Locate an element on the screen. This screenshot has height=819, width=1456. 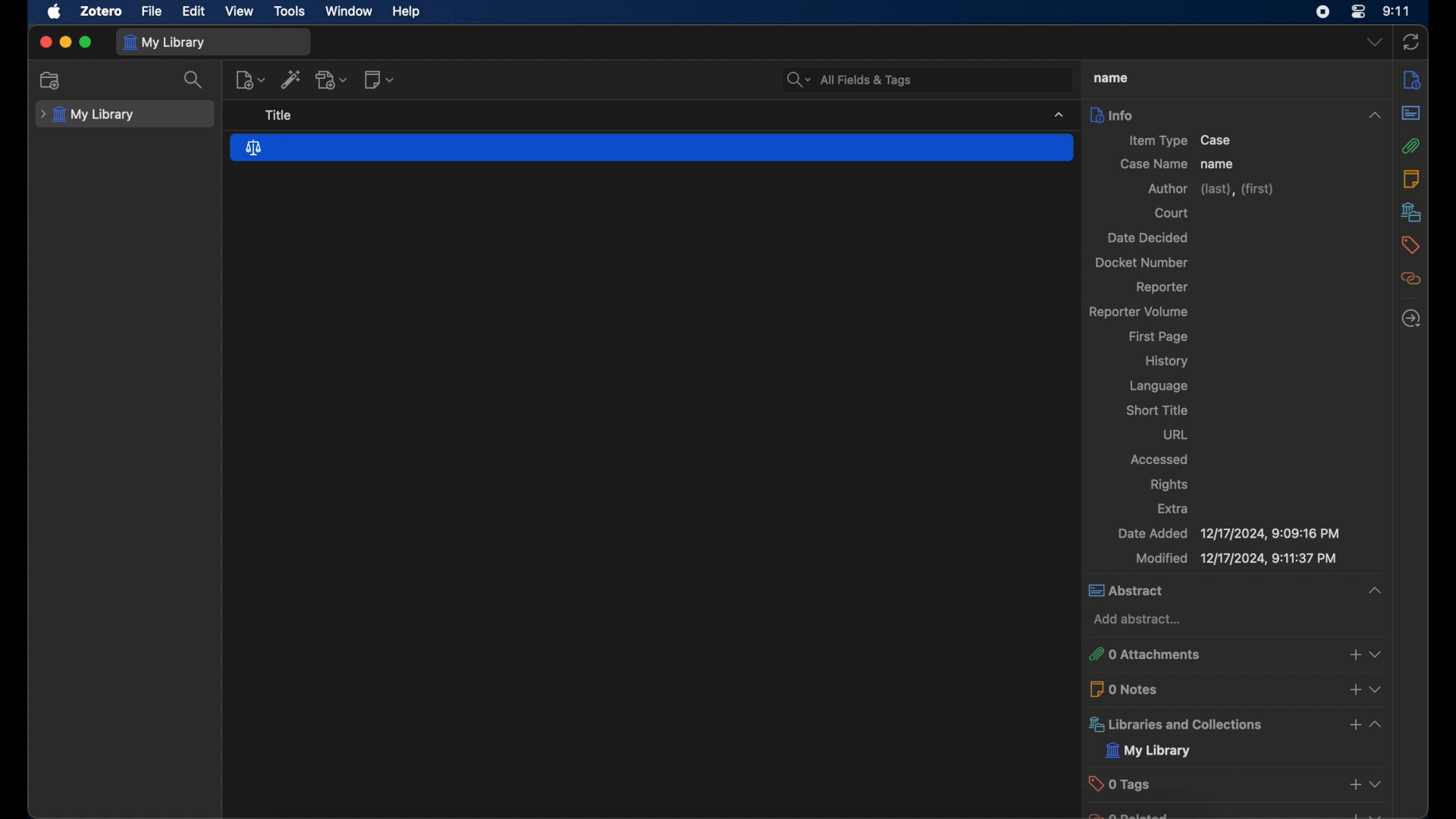
control center is located at coordinates (1359, 11).